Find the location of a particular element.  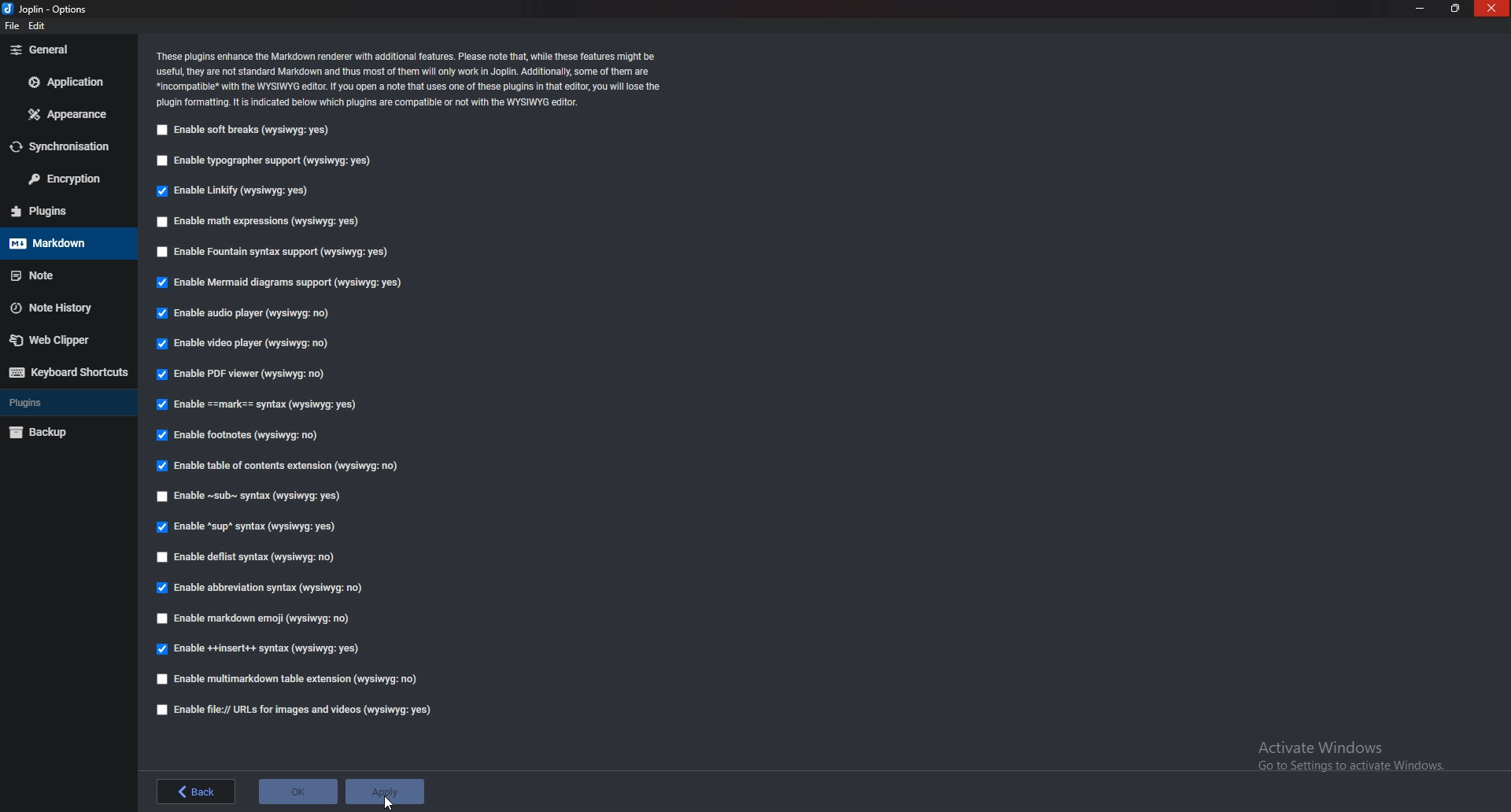

general is located at coordinates (65, 50).